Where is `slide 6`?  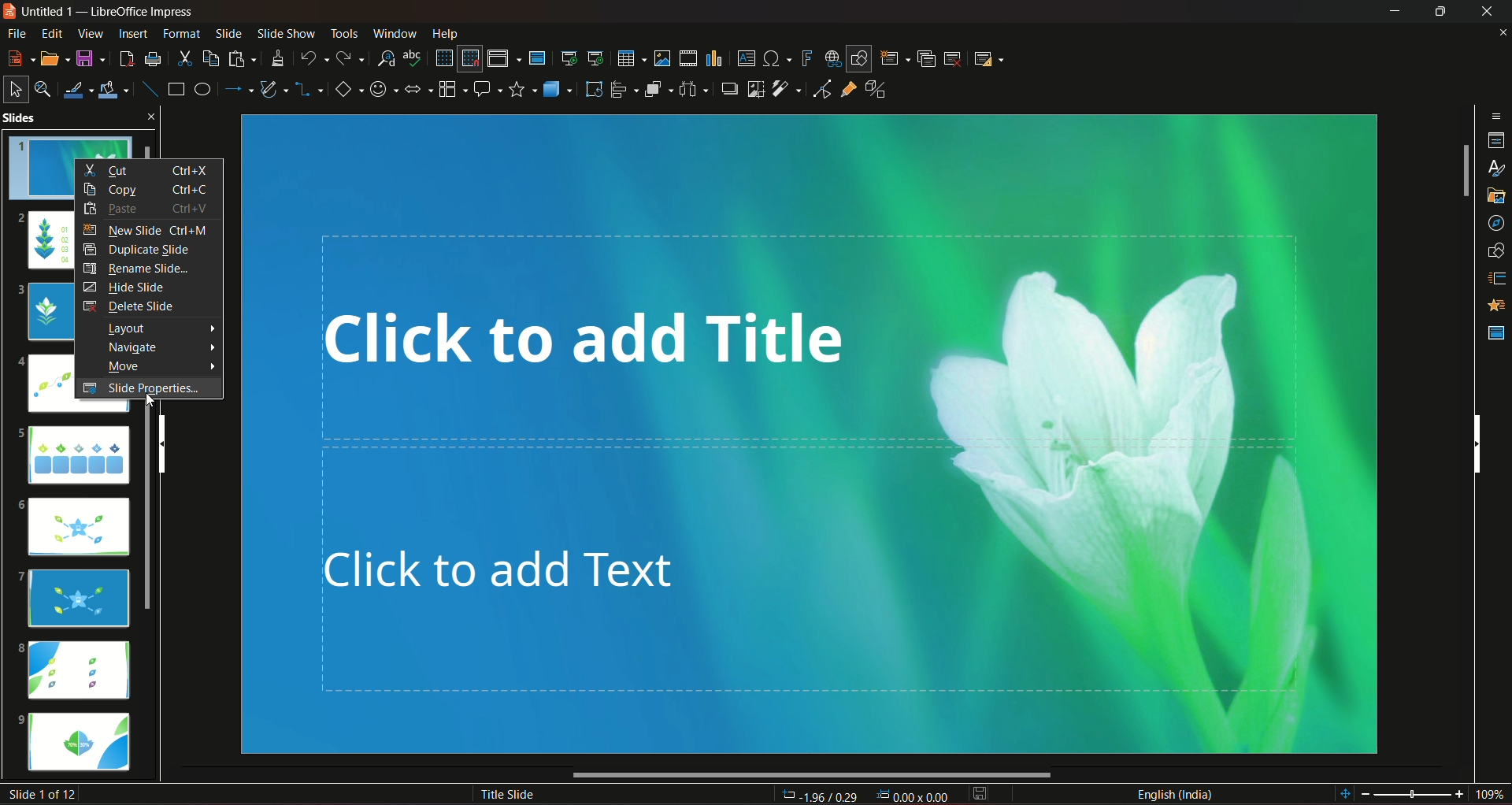 slide 6 is located at coordinates (79, 529).